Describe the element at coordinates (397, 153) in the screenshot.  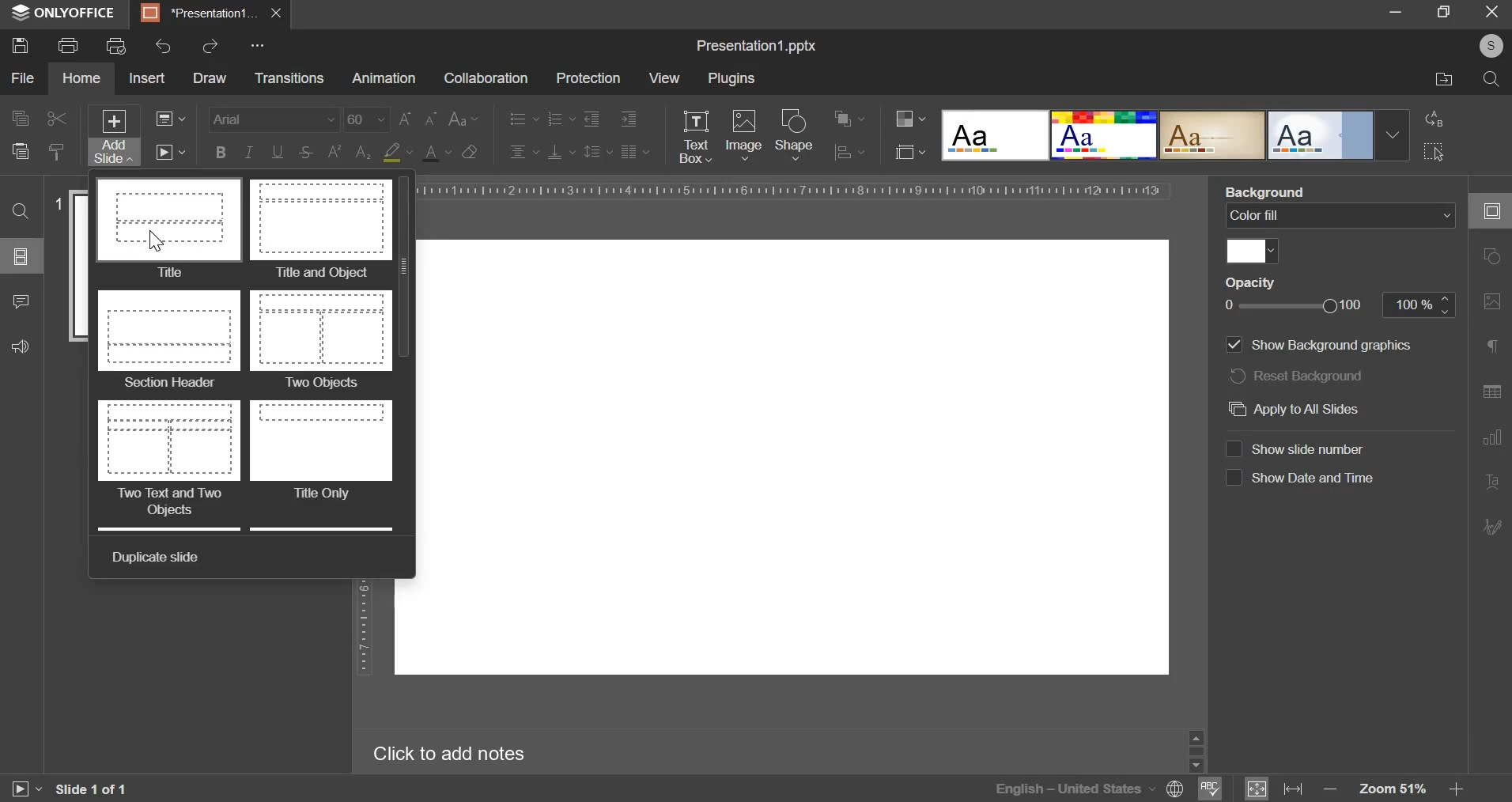
I see `fill color` at that location.